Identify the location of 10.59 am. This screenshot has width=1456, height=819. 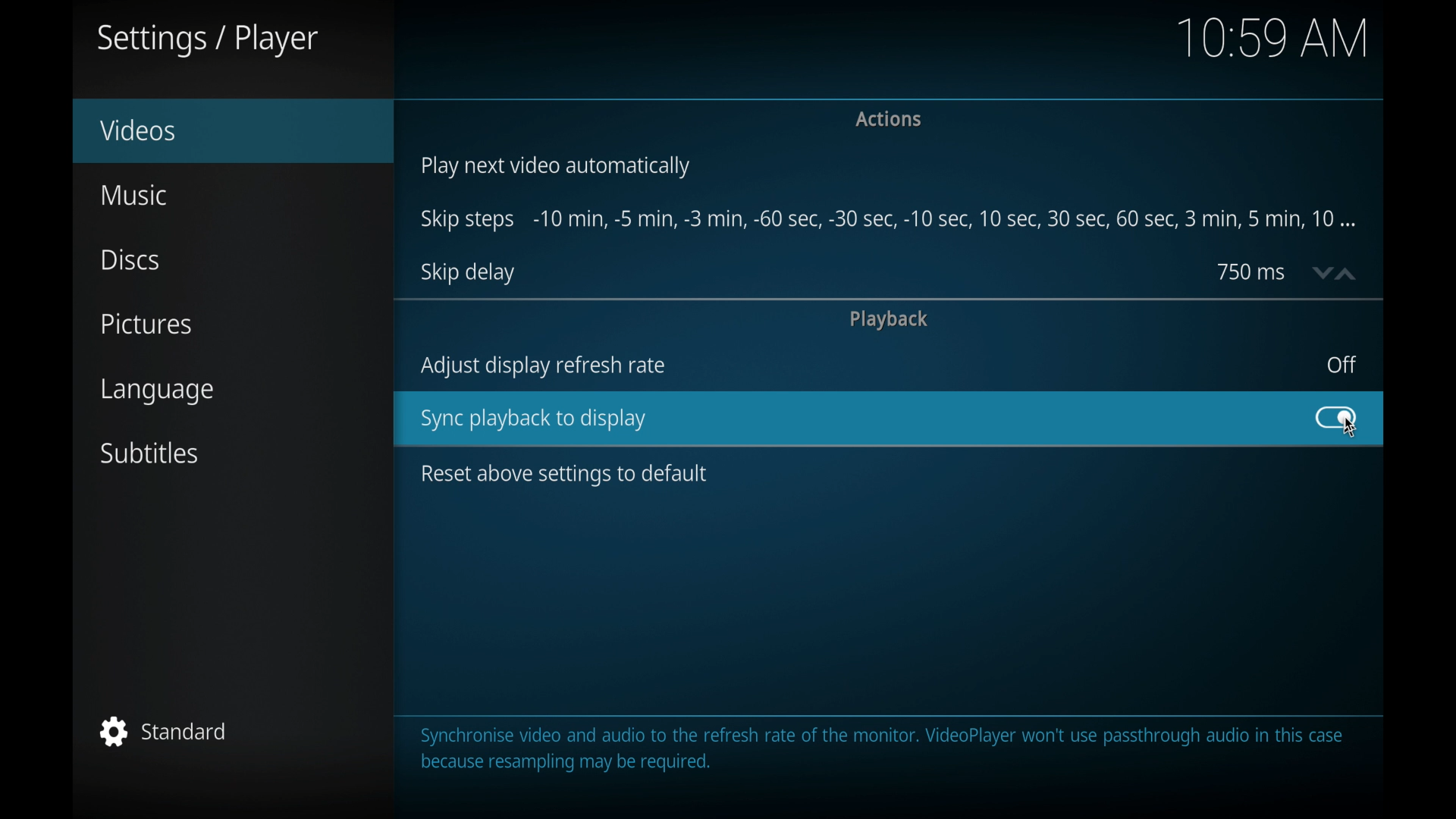
(1271, 39).